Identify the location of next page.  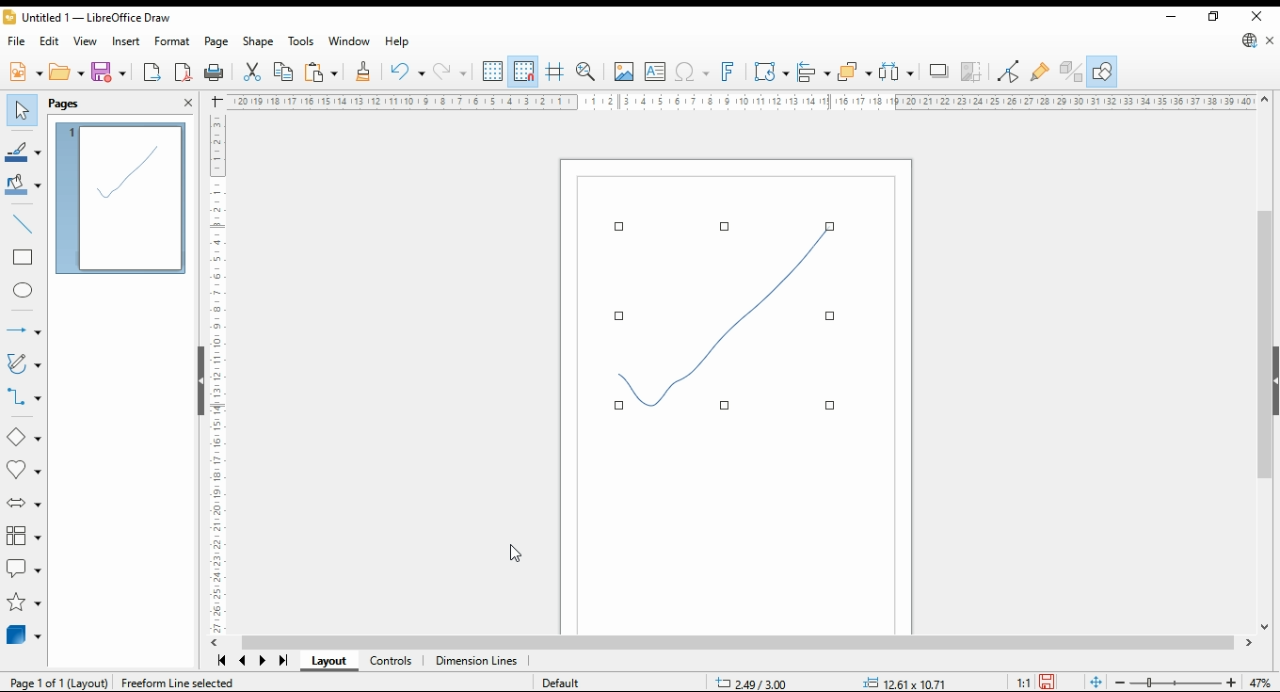
(262, 661).